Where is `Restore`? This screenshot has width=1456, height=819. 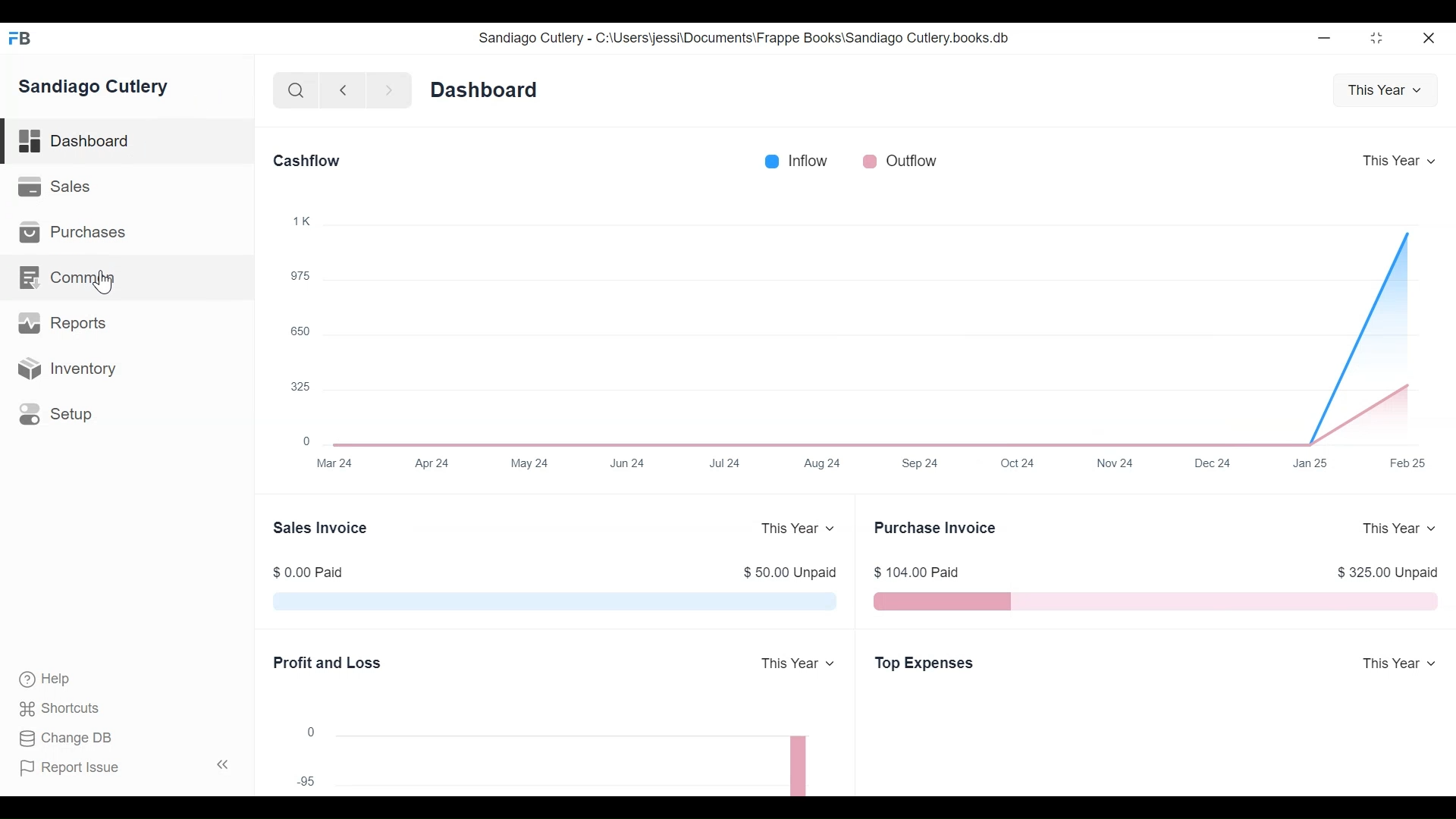 Restore is located at coordinates (1376, 37).